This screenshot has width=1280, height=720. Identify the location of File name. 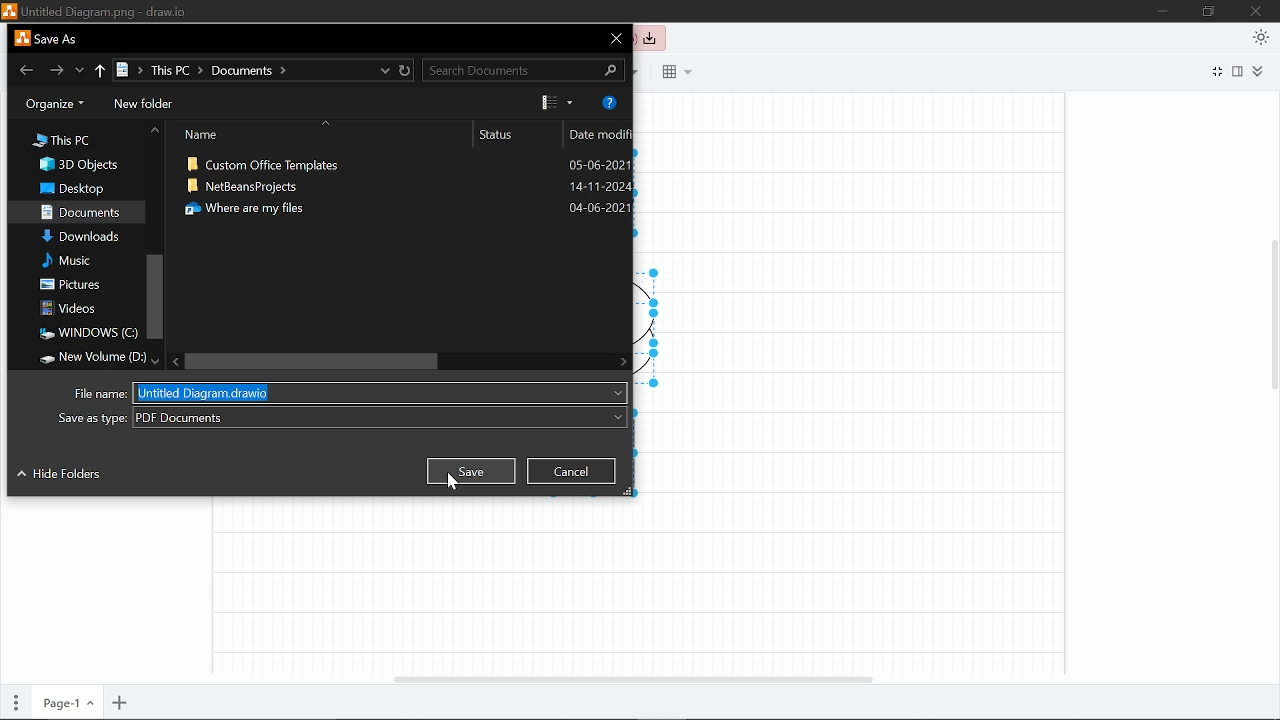
(345, 393).